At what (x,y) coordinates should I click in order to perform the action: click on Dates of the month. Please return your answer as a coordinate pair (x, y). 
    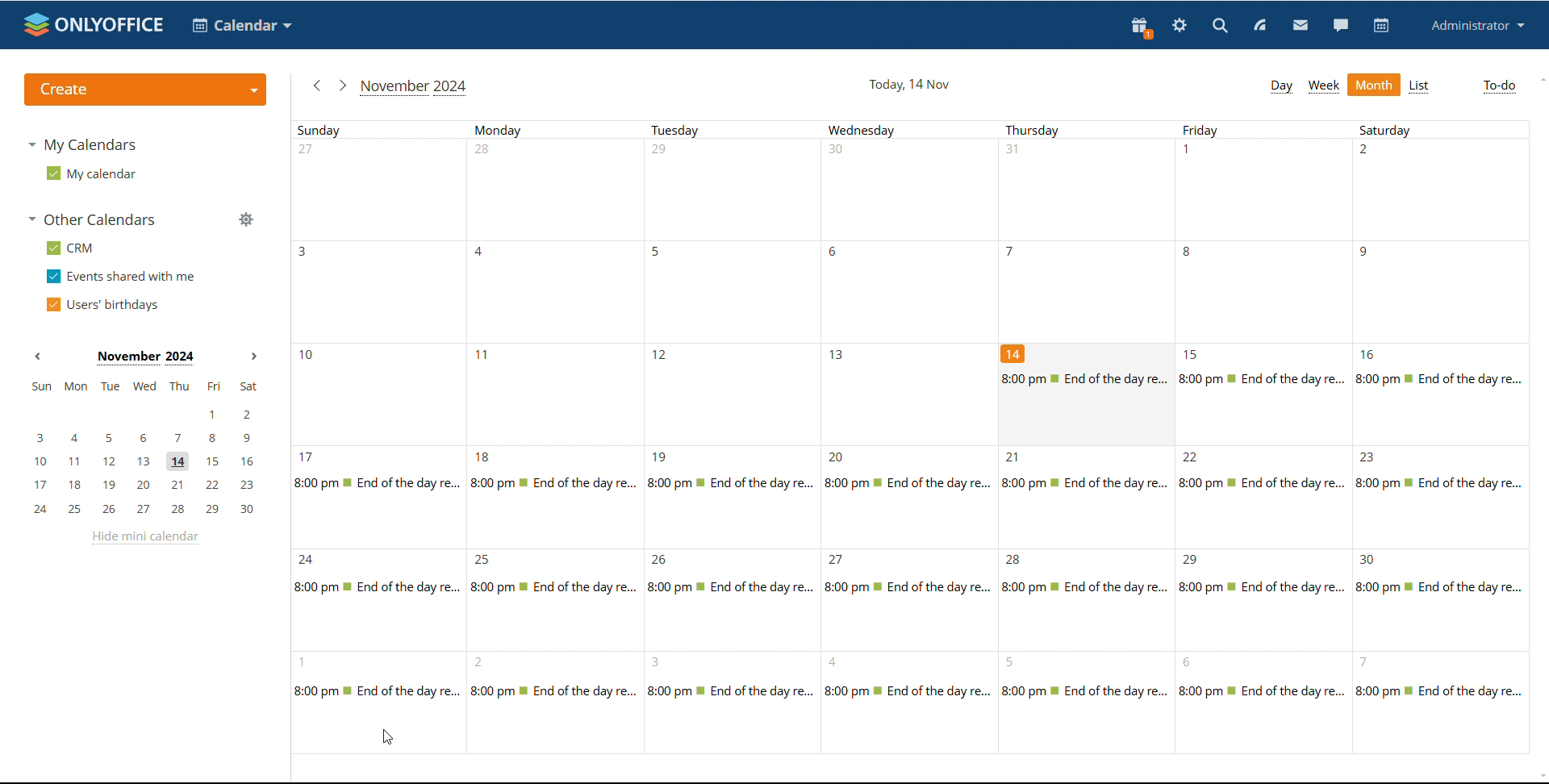
    Looking at the image, I should click on (650, 394).